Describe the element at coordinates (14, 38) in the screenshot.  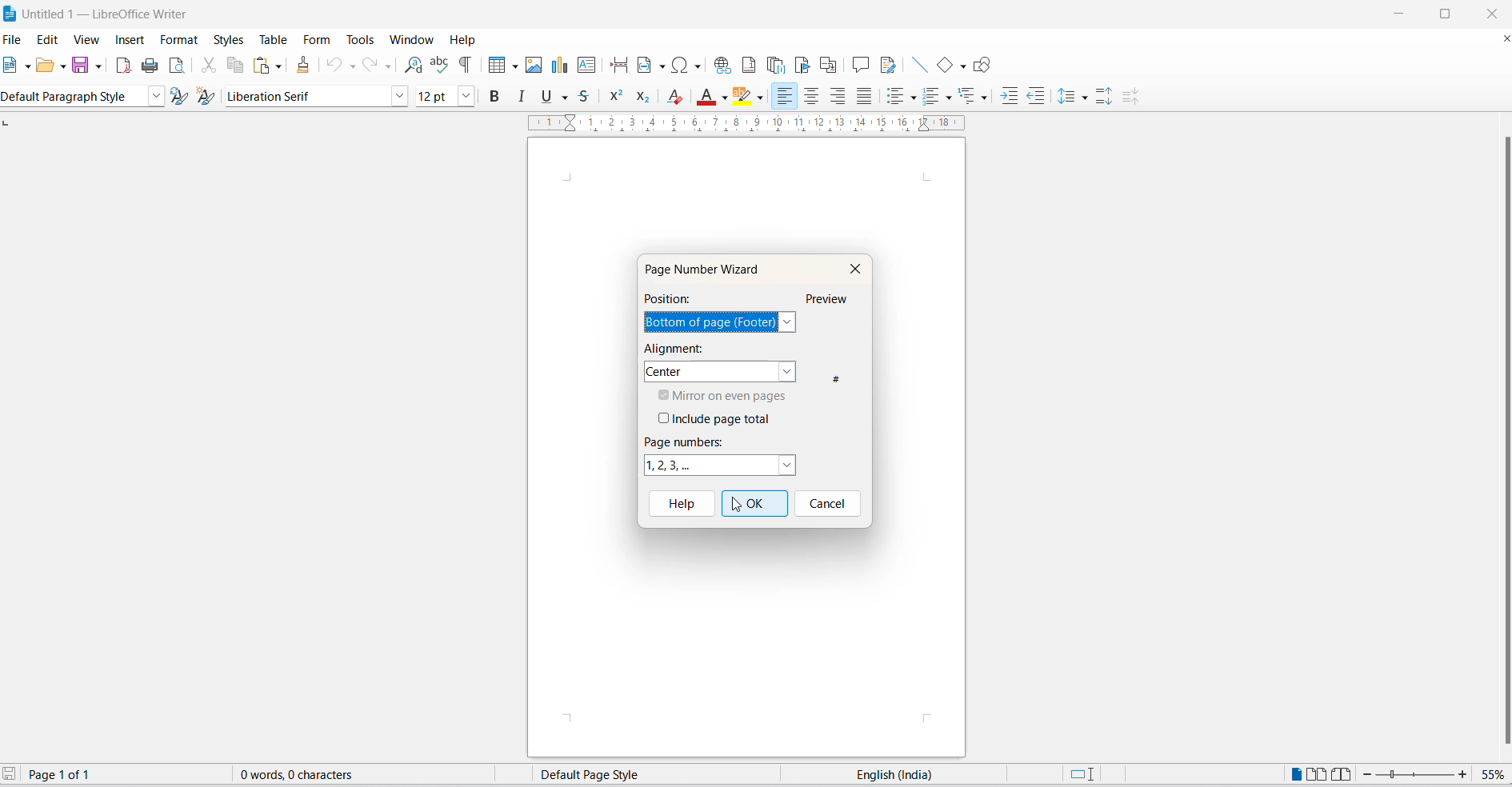
I see `file` at that location.